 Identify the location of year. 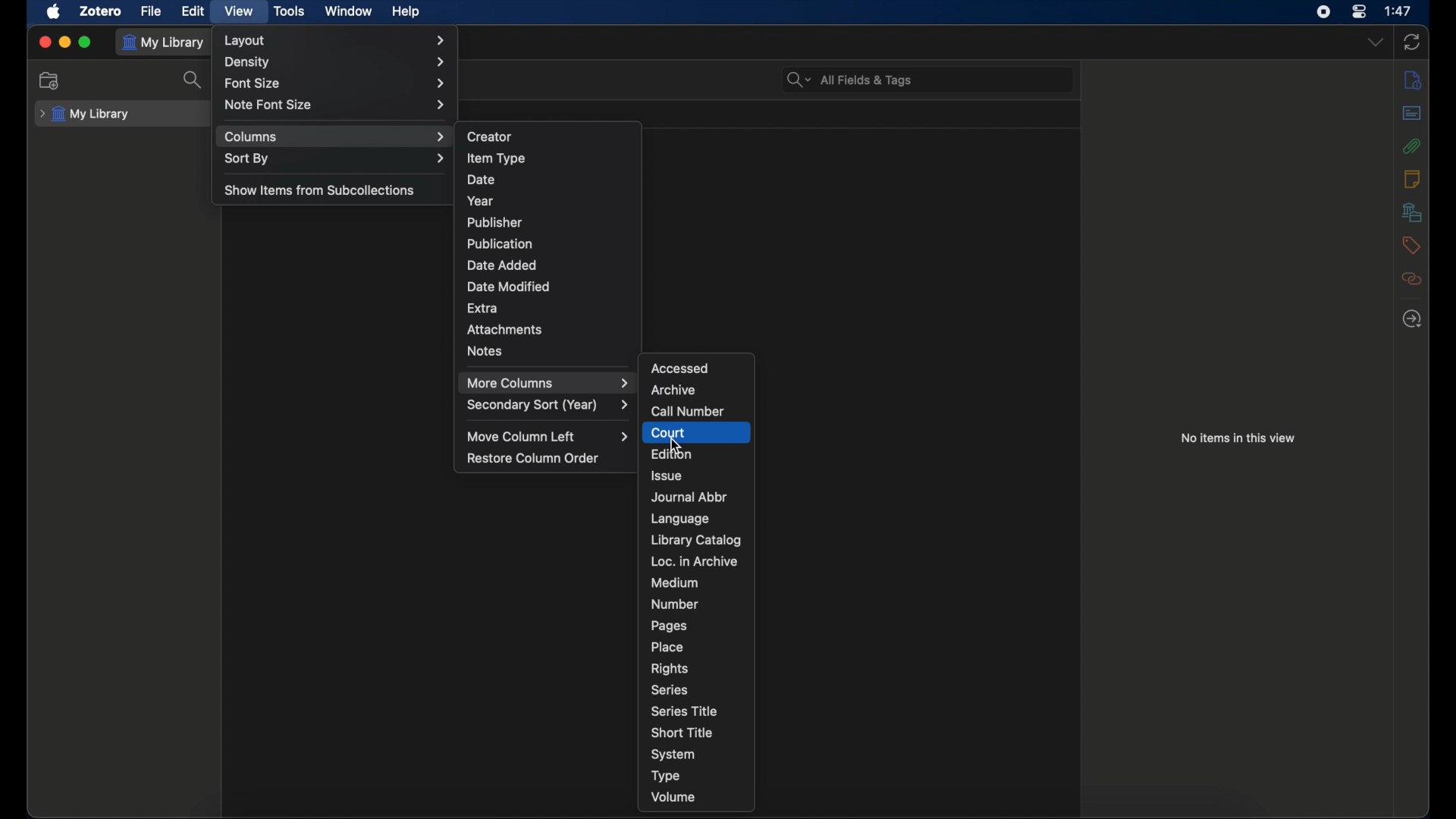
(482, 202).